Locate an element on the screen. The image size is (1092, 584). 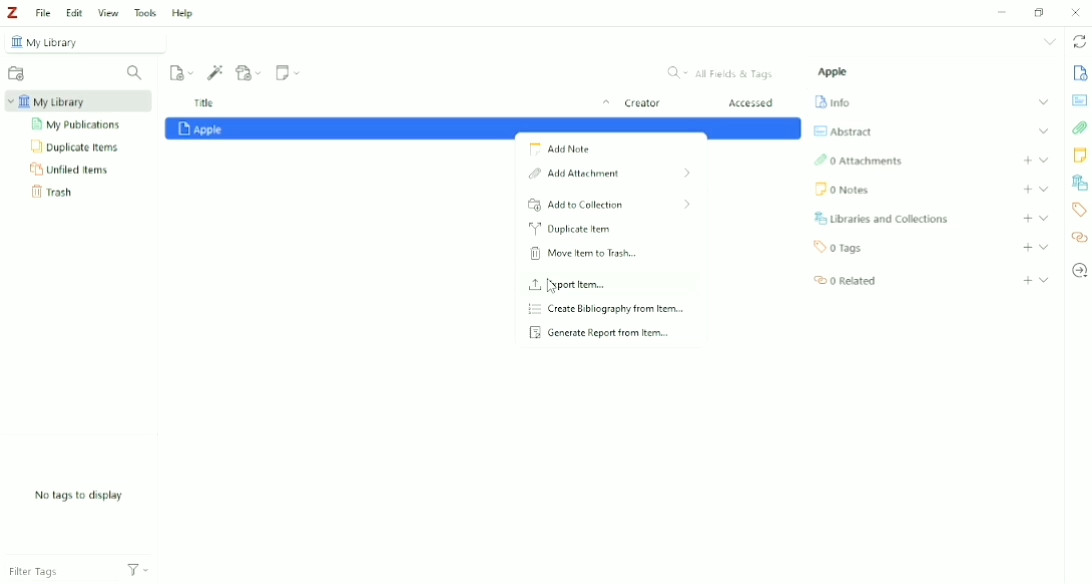
Unfiled Items is located at coordinates (70, 170).